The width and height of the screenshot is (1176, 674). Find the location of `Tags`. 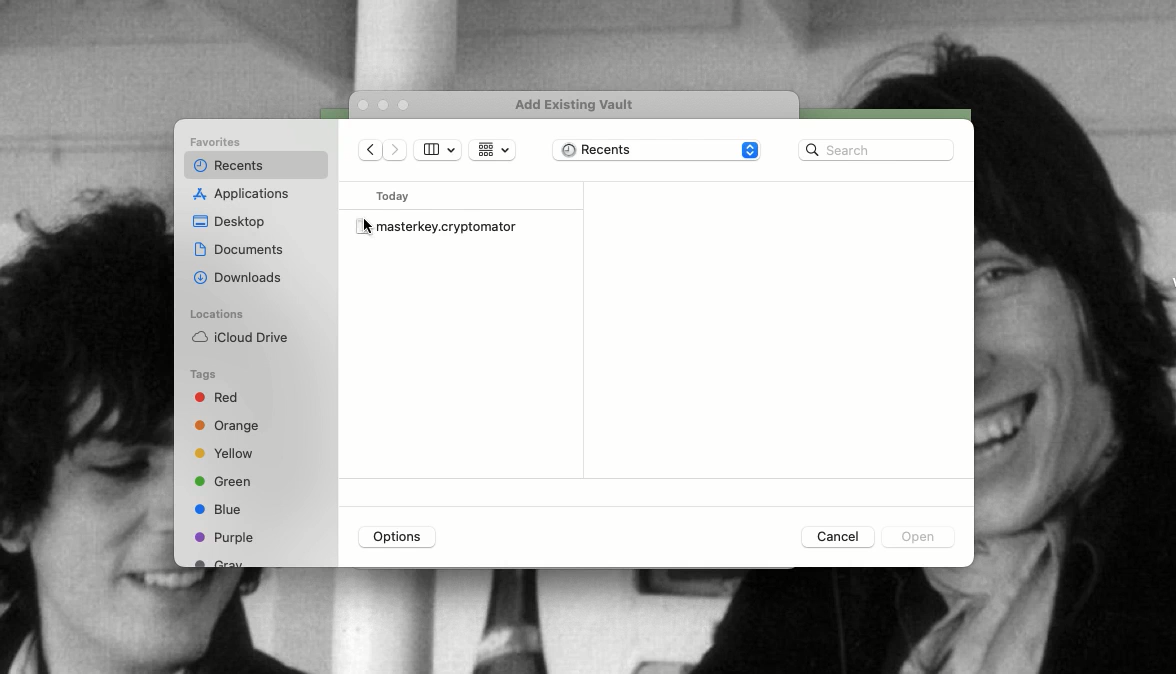

Tags is located at coordinates (204, 375).